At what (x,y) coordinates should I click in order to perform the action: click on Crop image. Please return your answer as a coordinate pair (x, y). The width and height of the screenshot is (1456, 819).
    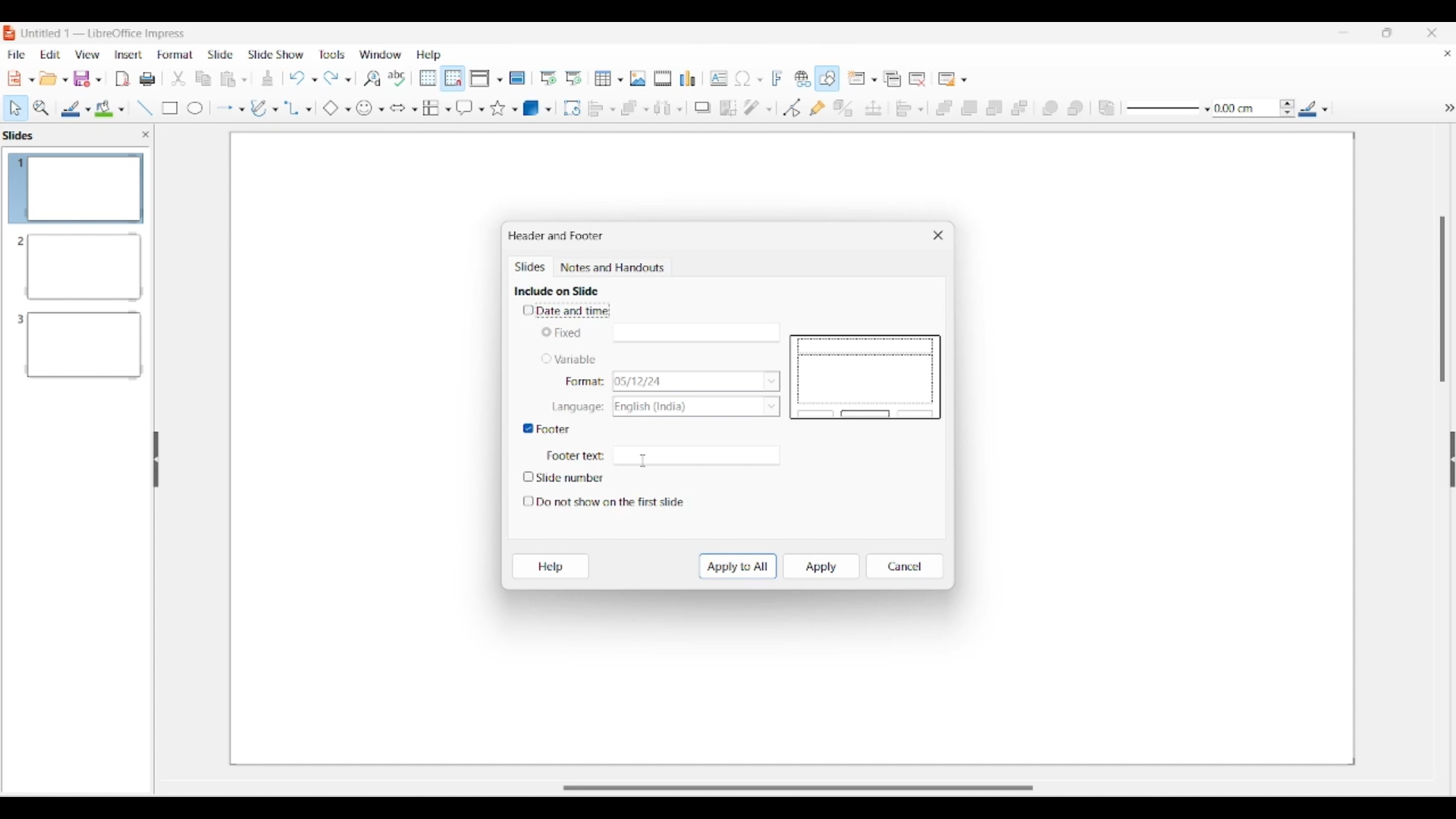
    Looking at the image, I should click on (729, 108).